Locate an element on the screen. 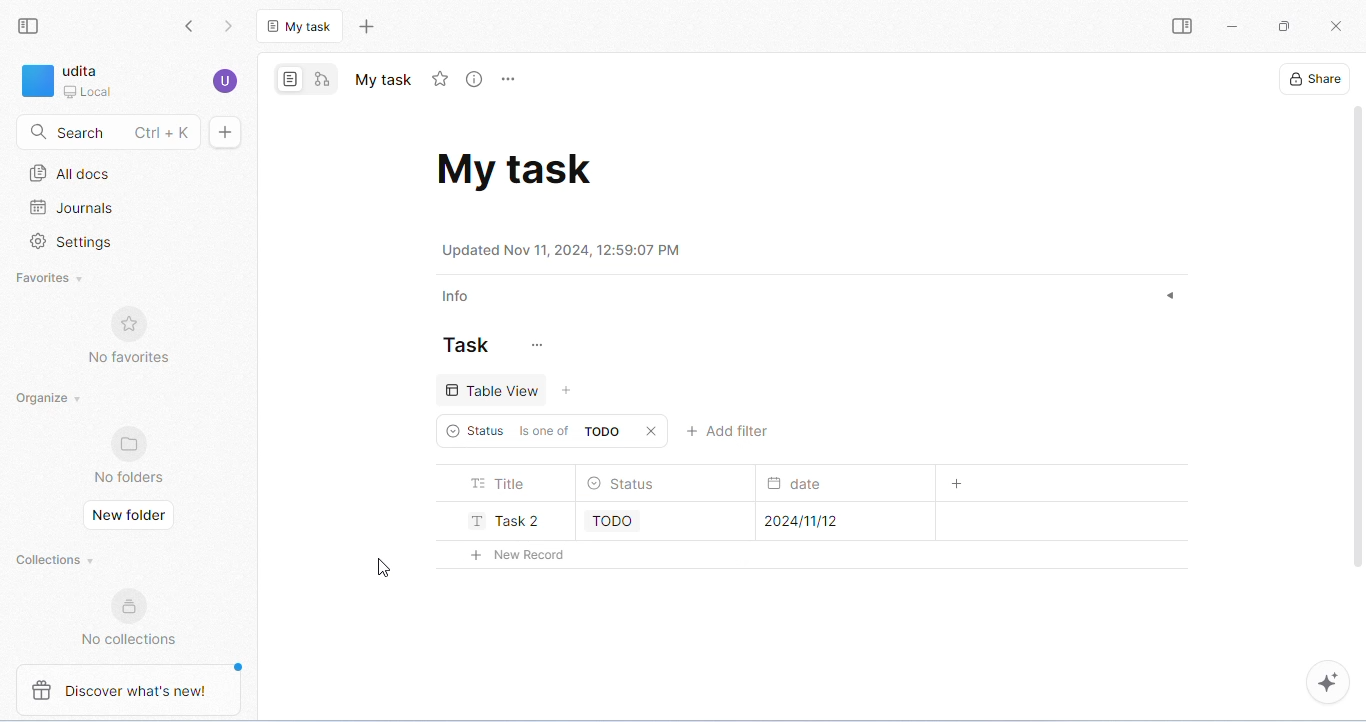 Image resolution: width=1366 pixels, height=722 pixels. new record is located at coordinates (509, 553).